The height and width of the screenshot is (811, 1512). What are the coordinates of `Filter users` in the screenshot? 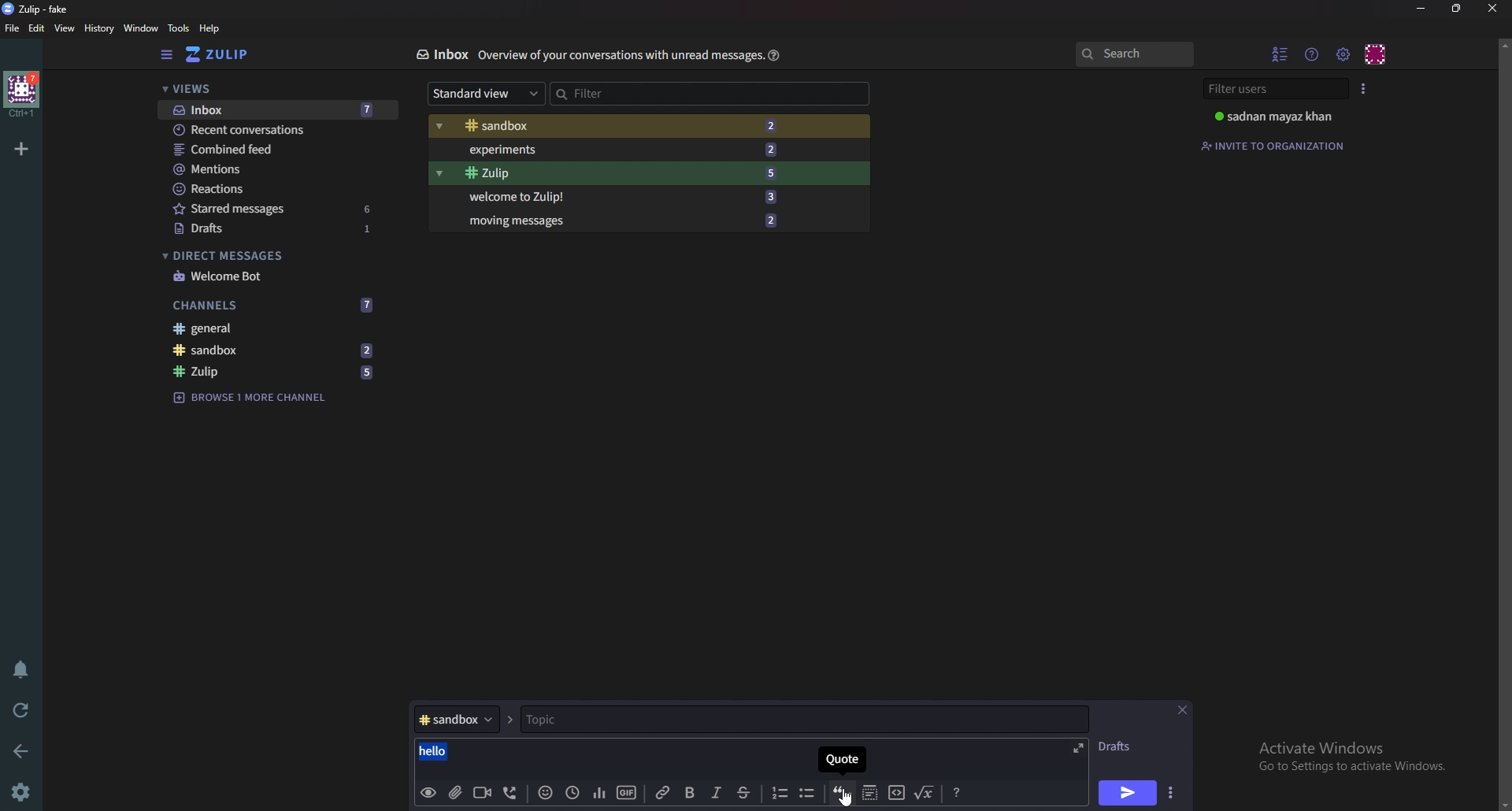 It's located at (1271, 88).